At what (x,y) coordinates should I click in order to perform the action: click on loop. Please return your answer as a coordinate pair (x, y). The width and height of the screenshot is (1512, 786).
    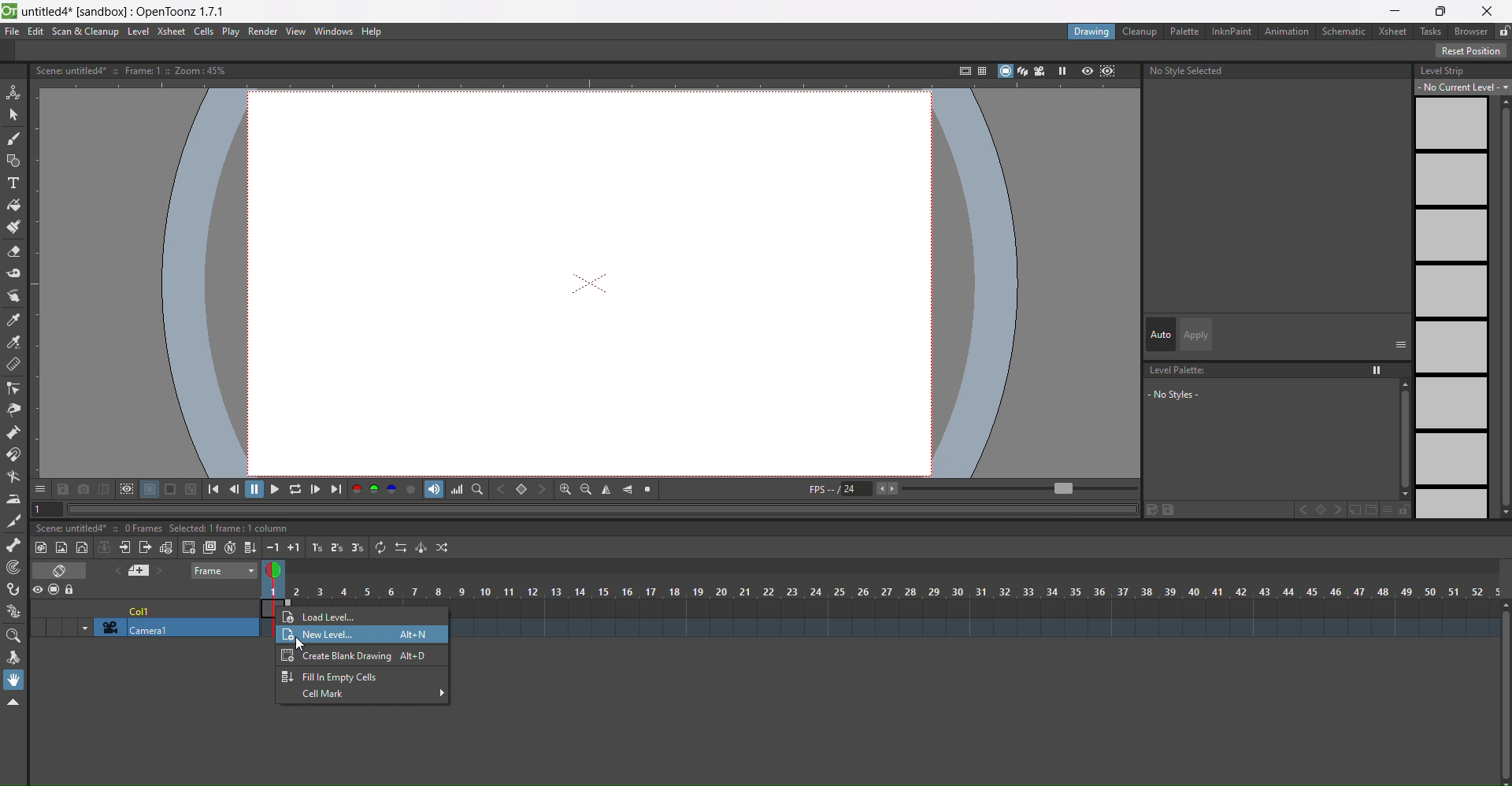
    Looking at the image, I should click on (295, 488).